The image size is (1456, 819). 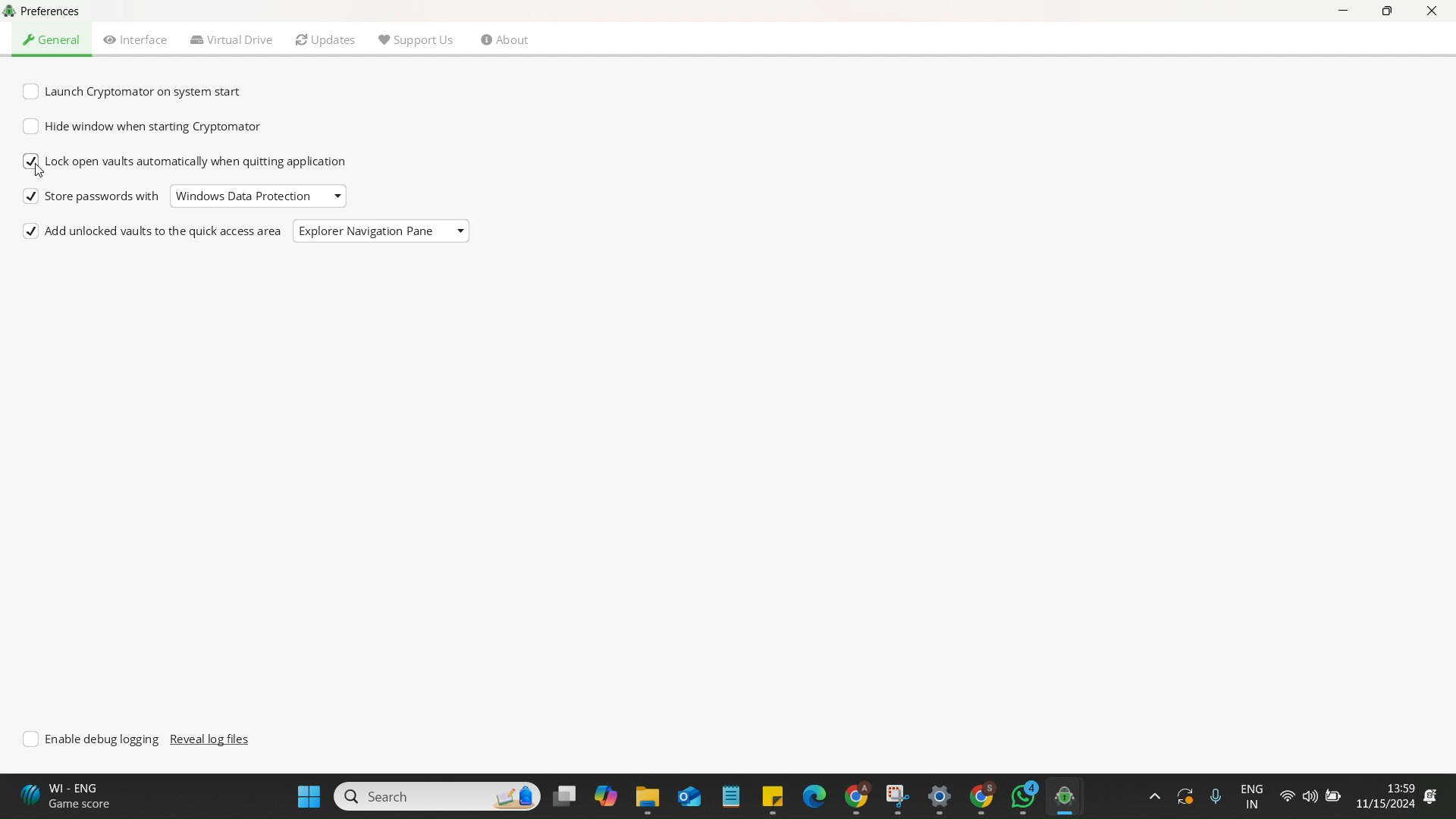 I want to click on Wifi, so click(x=1287, y=797).